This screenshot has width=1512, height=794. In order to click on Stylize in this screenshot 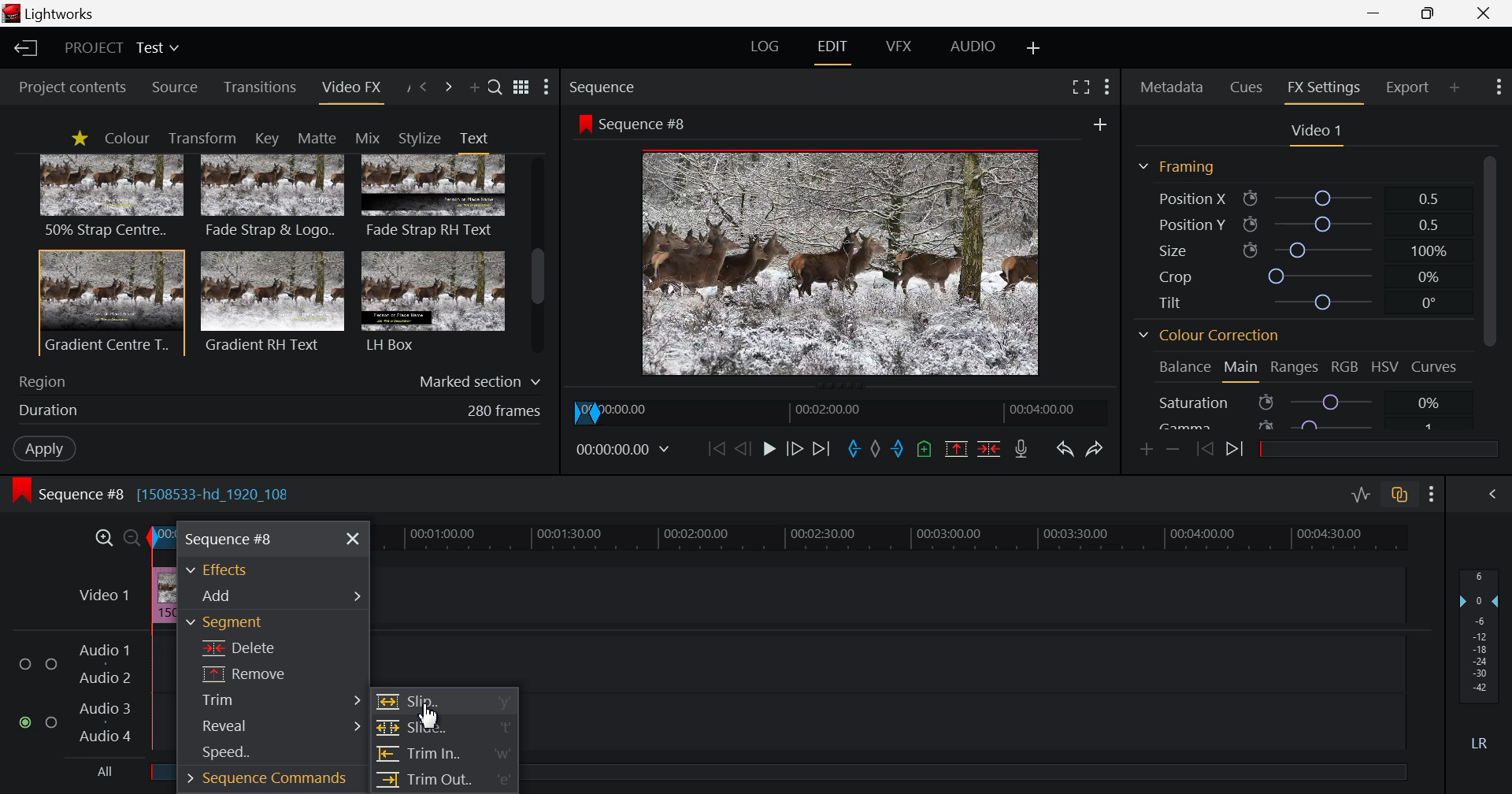, I will do `click(420, 138)`.